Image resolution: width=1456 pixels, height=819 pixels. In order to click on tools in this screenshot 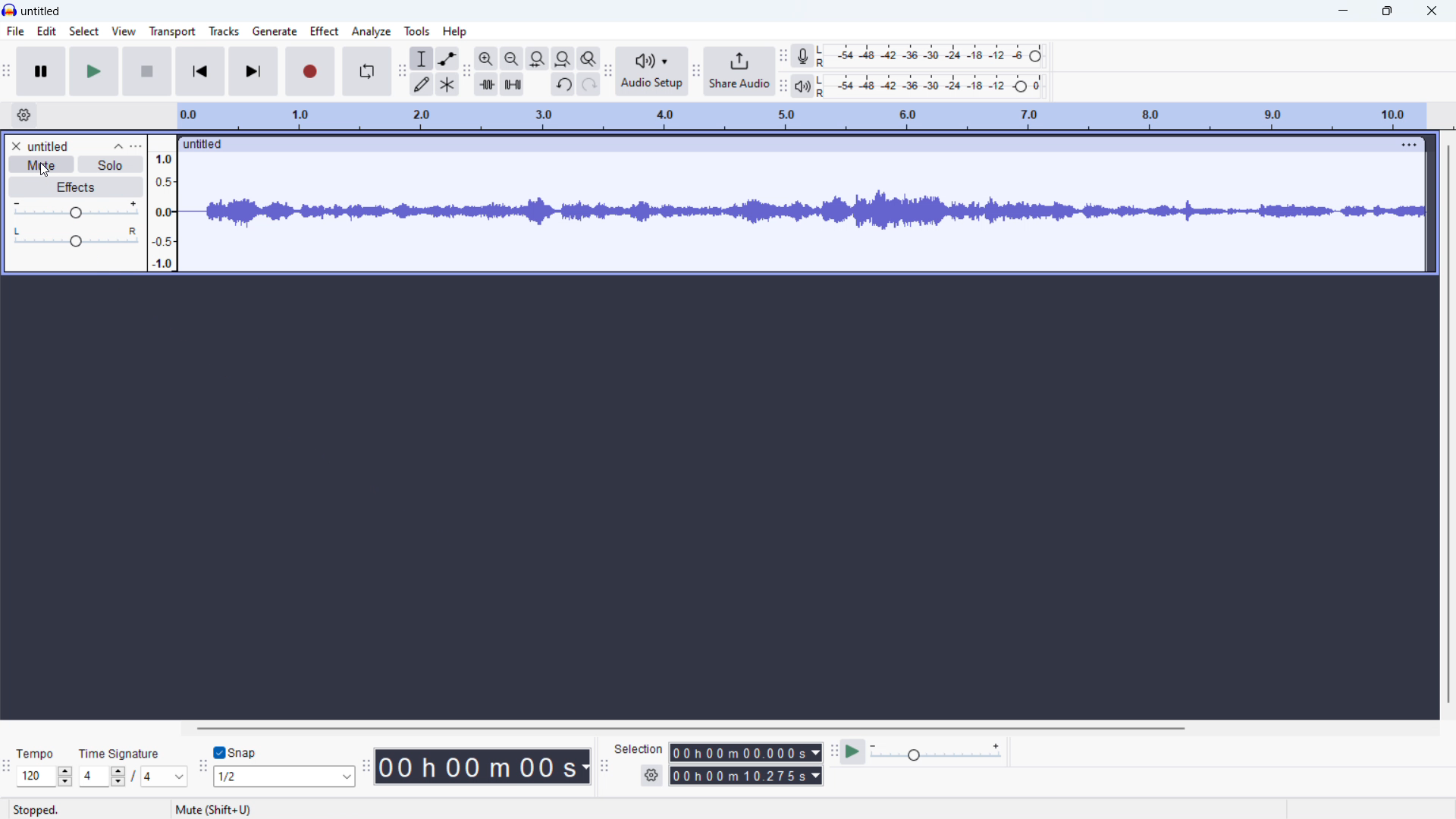, I will do `click(418, 31)`.